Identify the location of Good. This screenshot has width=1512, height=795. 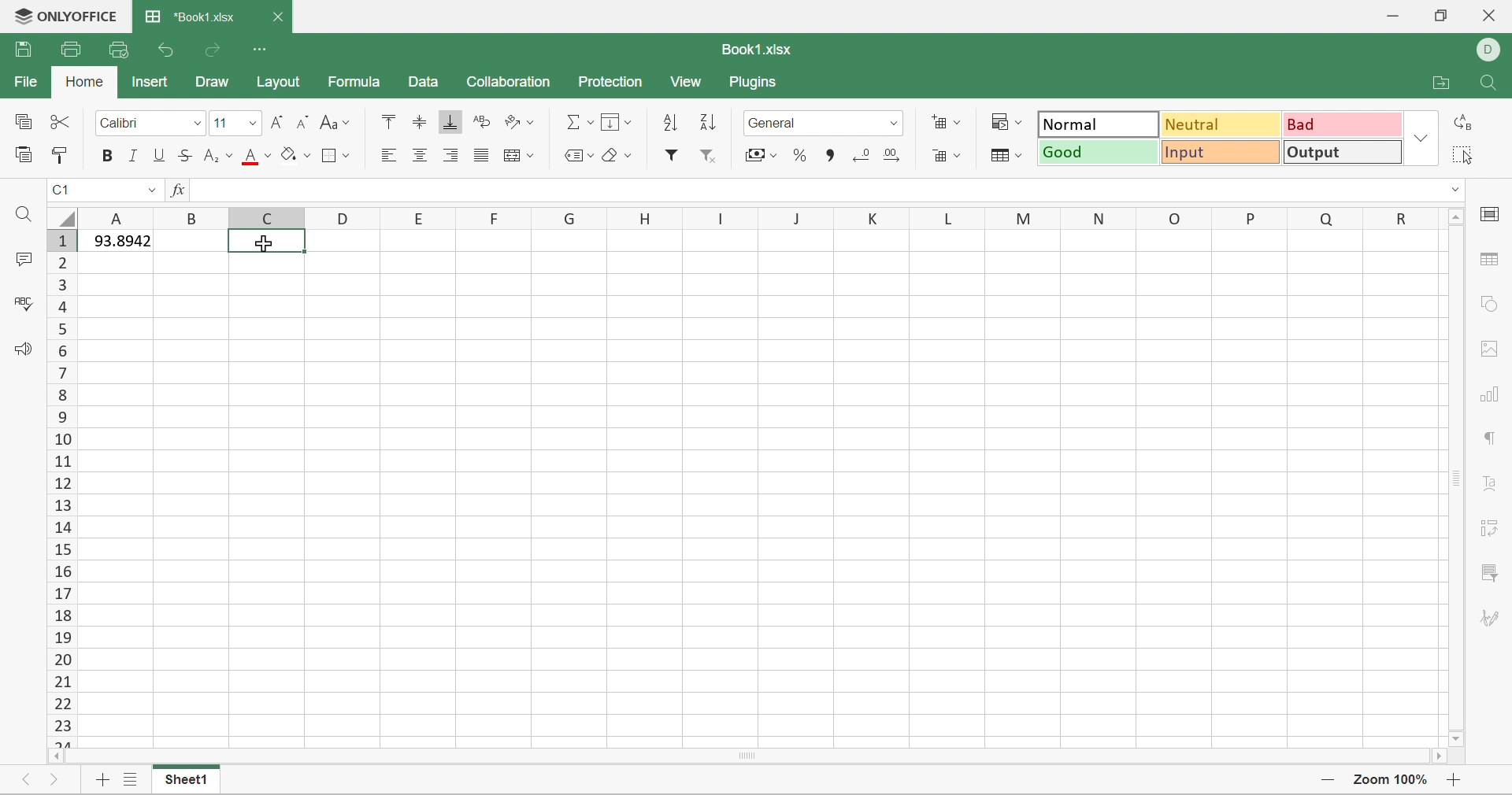
(1100, 152).